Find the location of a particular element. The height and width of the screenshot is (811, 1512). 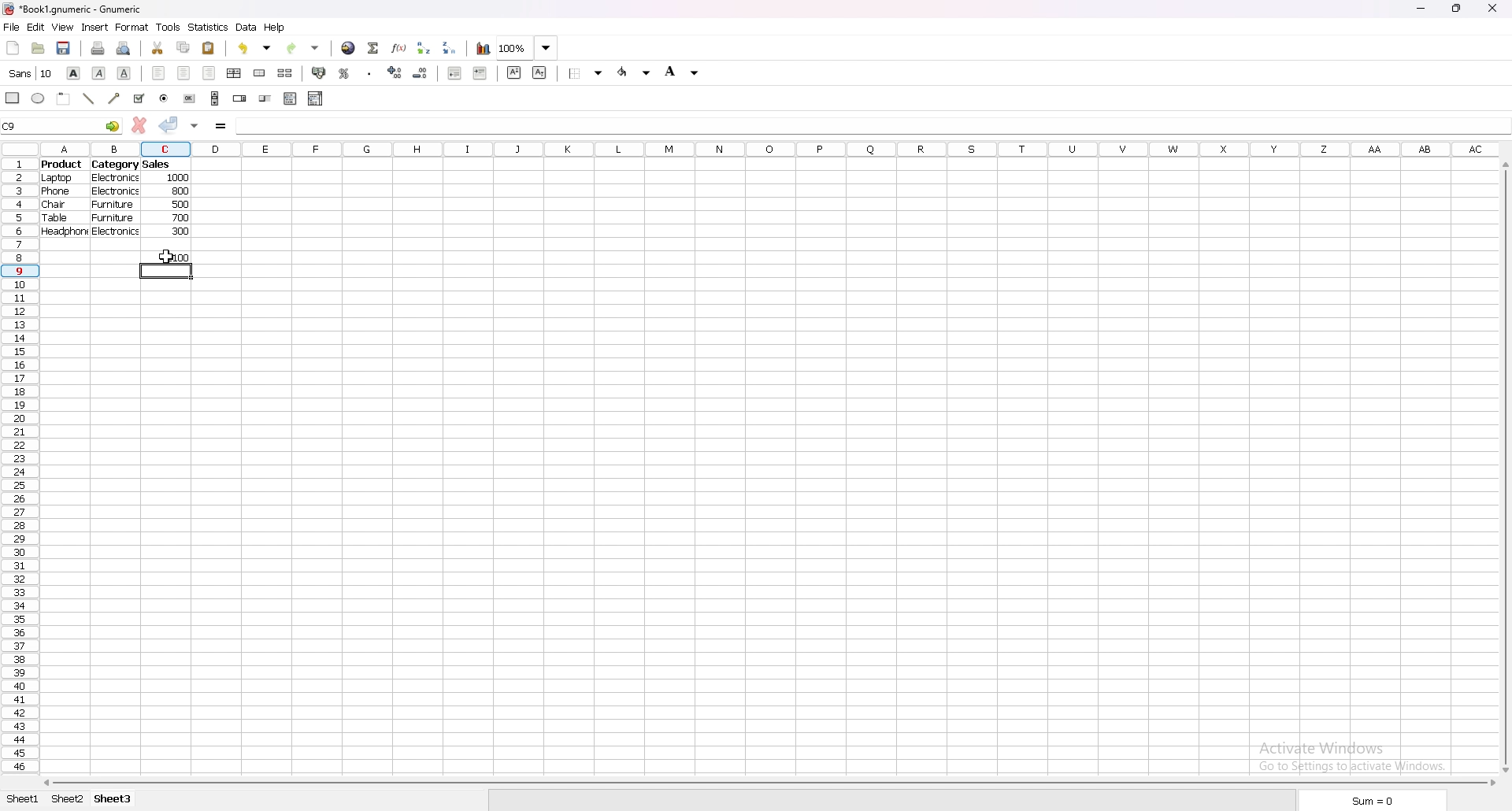

300 is located at coordinates (182, 232).